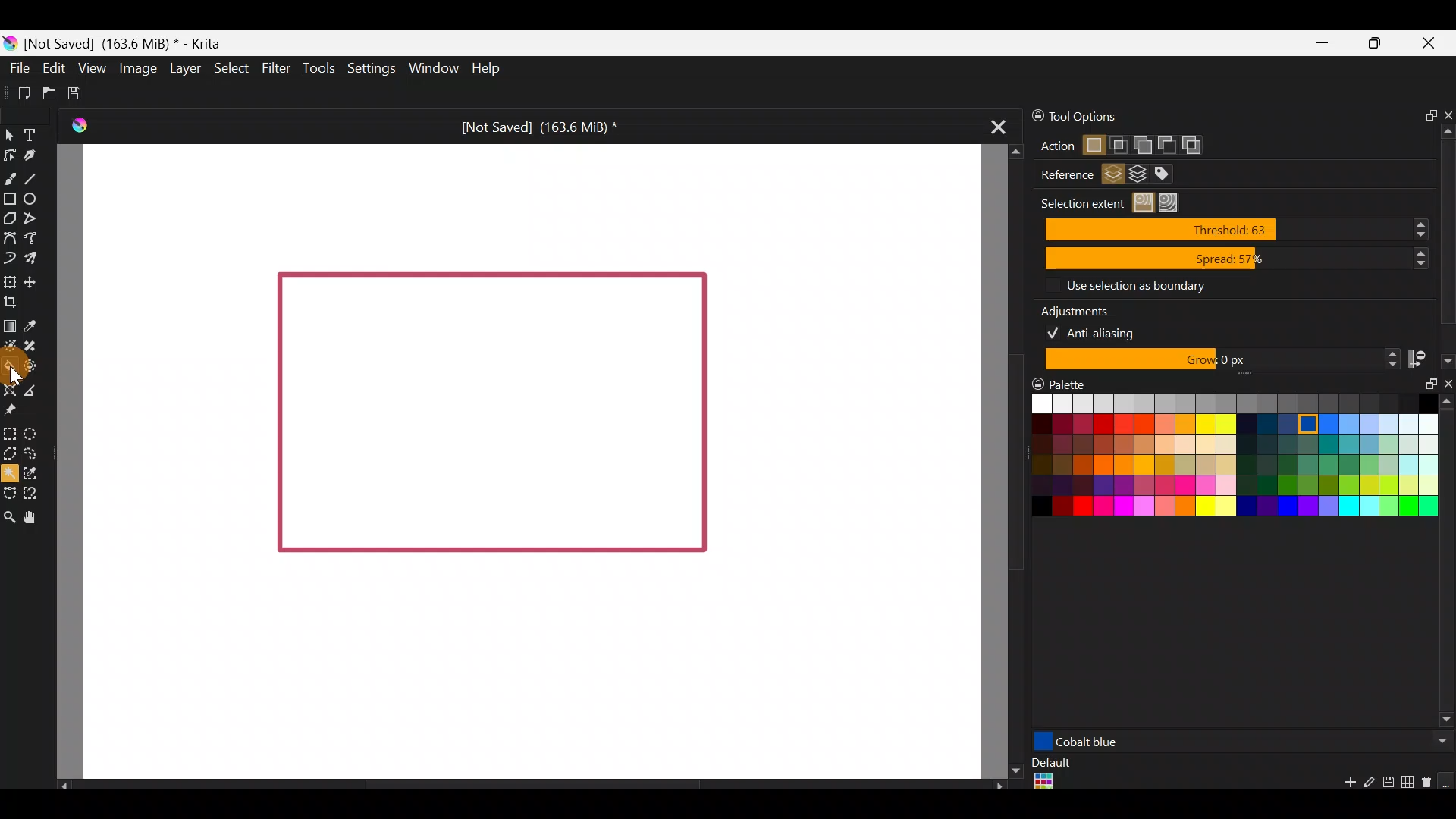 The image size is (1456, 819). What do you see at coordinates (1447, 563) in the screenshot?
I see `Scroll bar` at bounding box center [1447, 563].